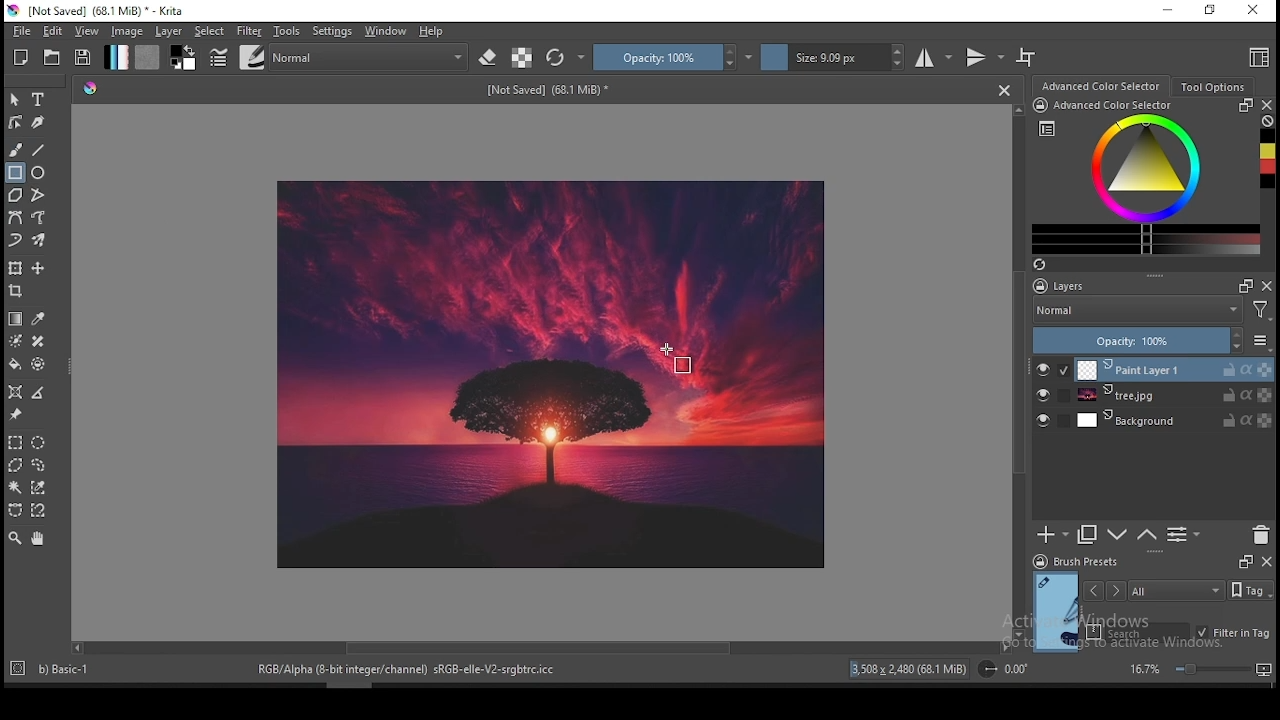  I want to click on Clear, so click(1268, 121).